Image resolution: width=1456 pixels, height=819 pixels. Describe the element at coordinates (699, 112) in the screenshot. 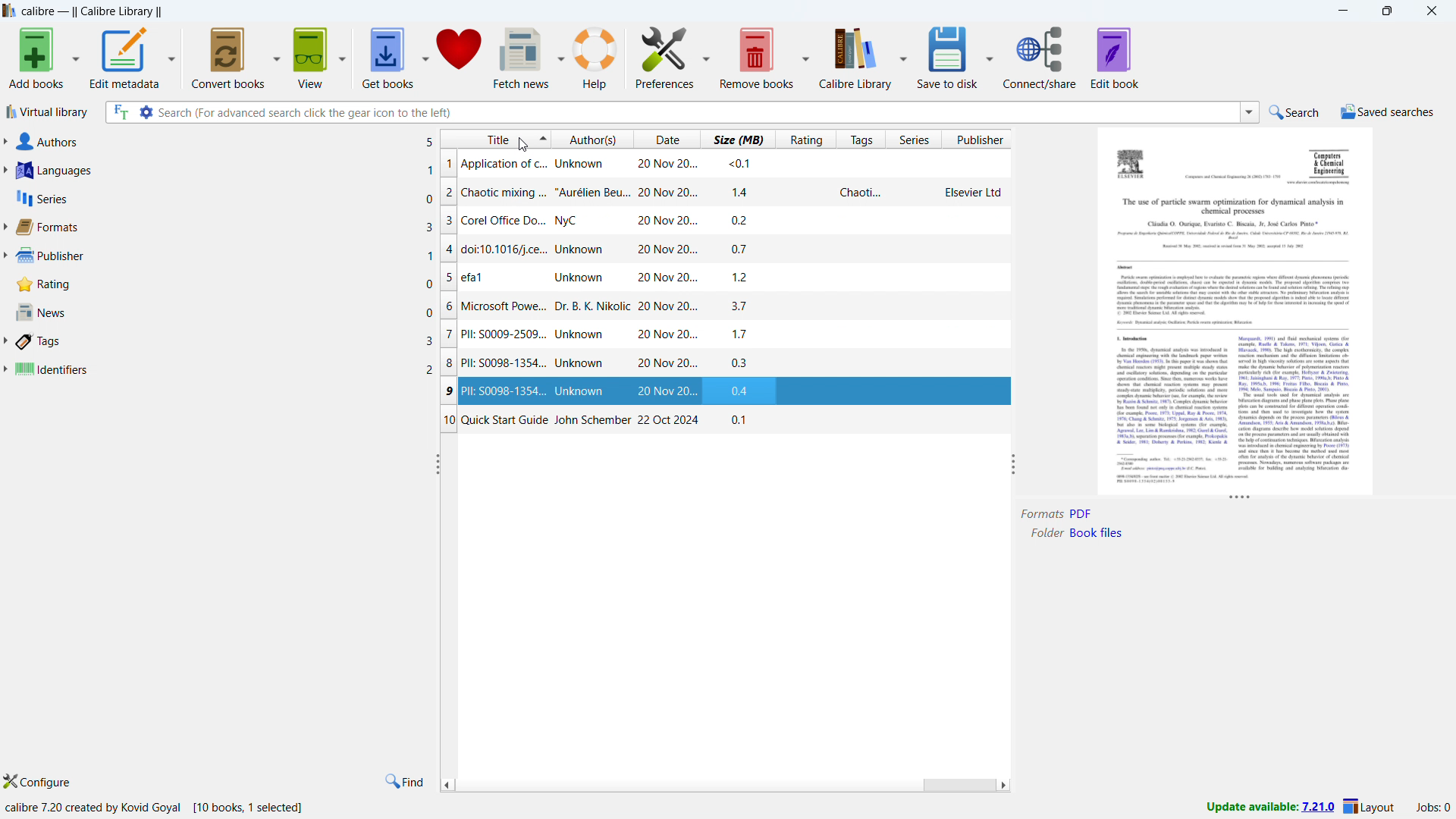

I see `enter search string` at that location.